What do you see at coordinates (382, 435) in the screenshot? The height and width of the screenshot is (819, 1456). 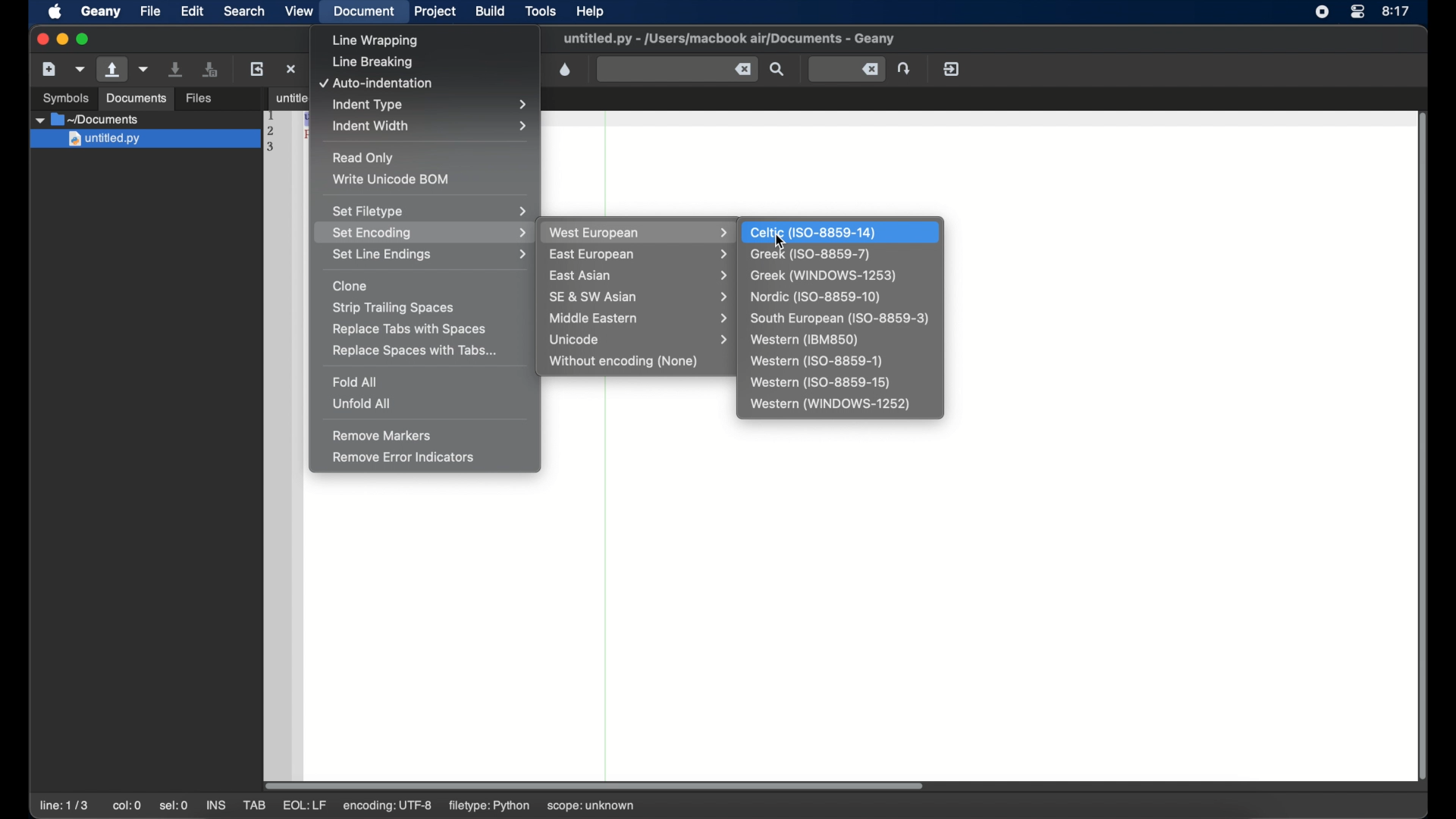 I see `remove markers` at bounding box center [382, 435].